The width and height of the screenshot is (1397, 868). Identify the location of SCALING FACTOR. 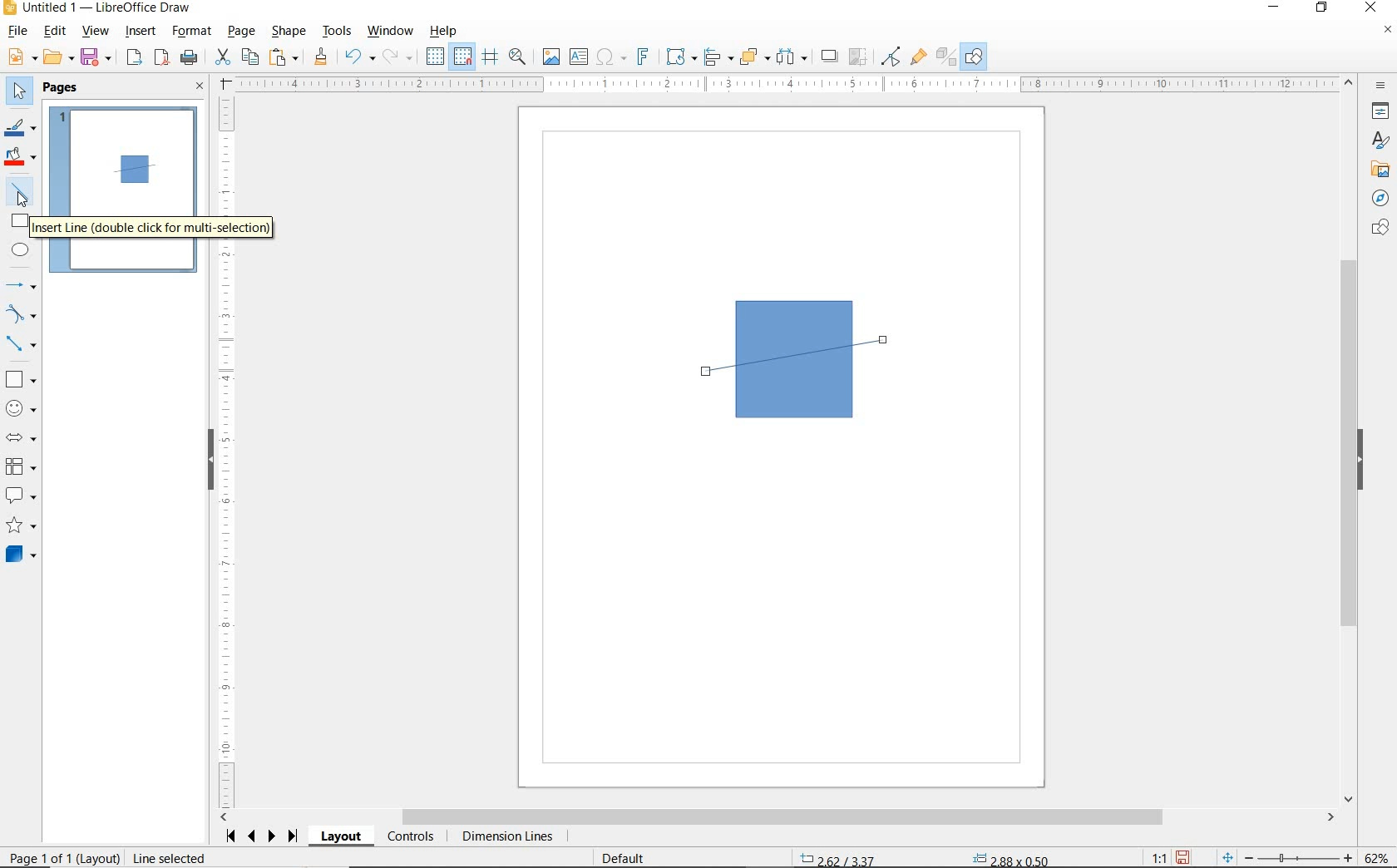
(1153, 854).